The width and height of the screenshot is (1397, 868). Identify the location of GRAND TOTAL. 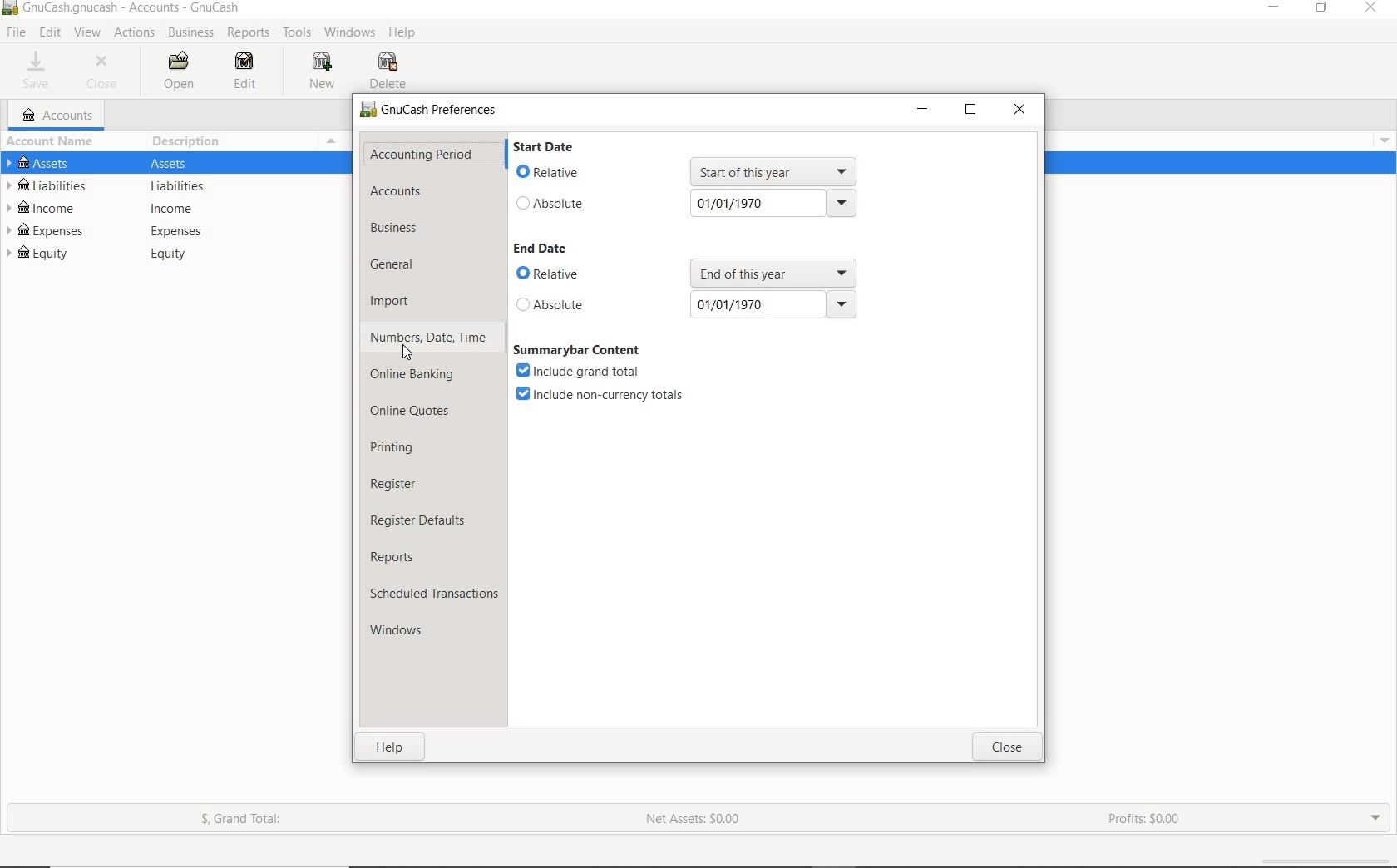
(249, 822).